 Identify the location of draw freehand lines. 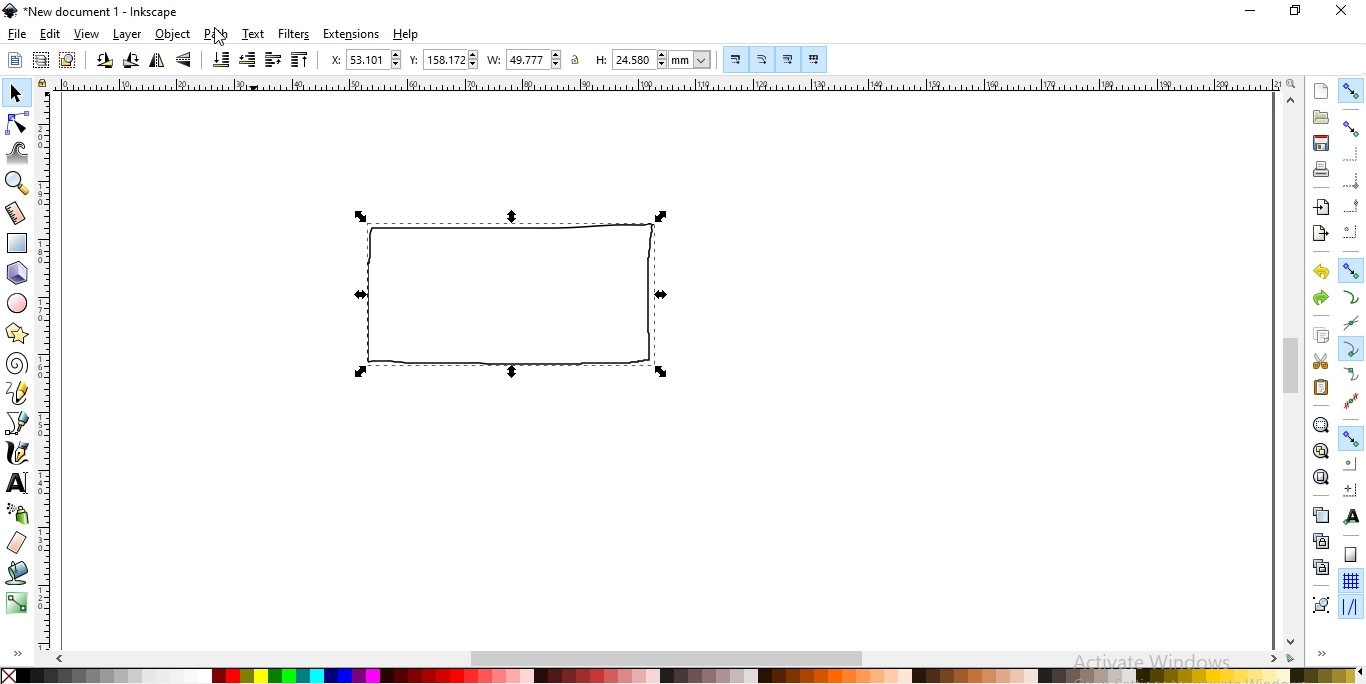
(20, 393).